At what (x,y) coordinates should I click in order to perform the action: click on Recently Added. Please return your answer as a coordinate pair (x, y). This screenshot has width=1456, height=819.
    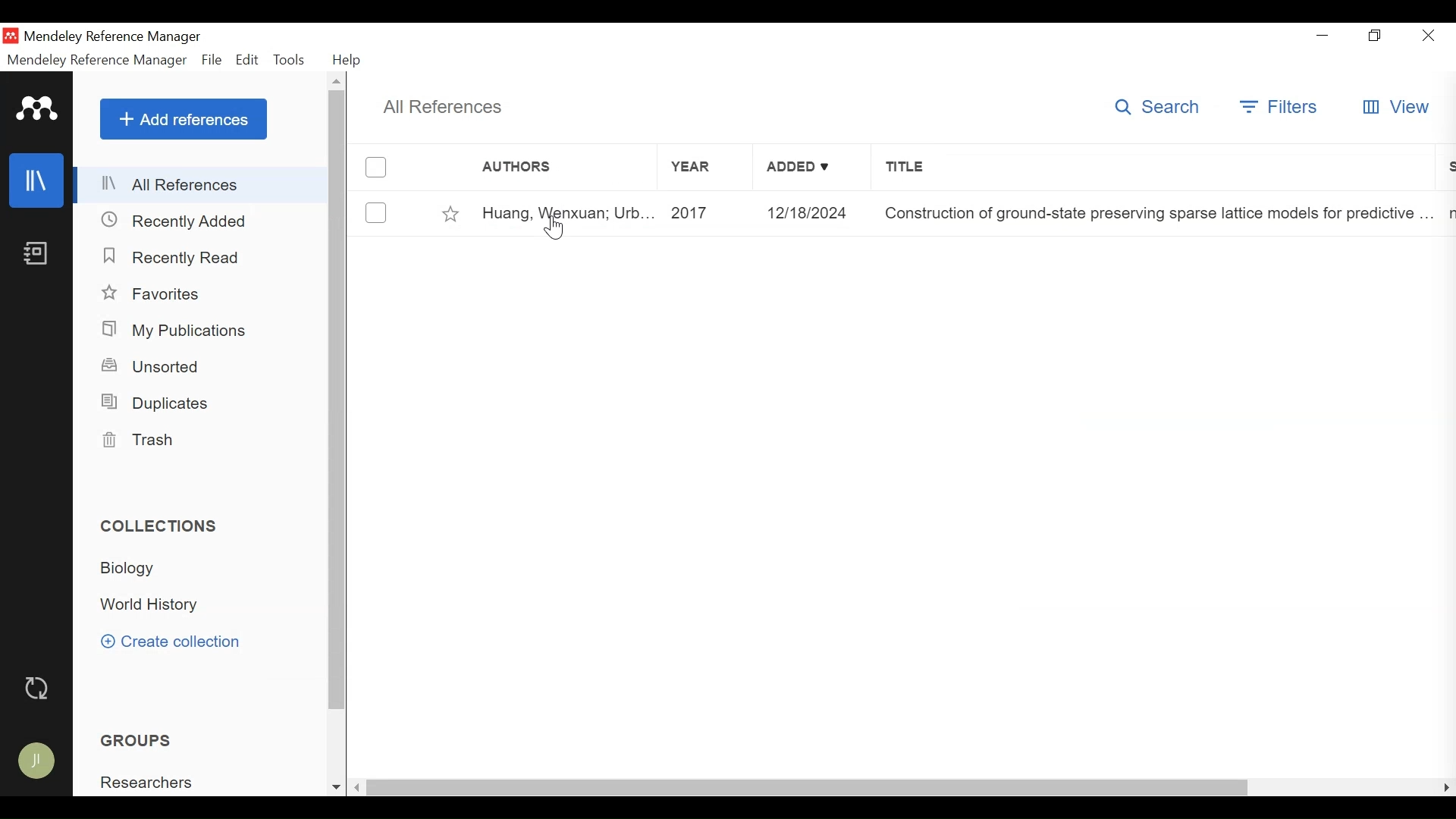
    Looking at the image, I should click on (175, 221).